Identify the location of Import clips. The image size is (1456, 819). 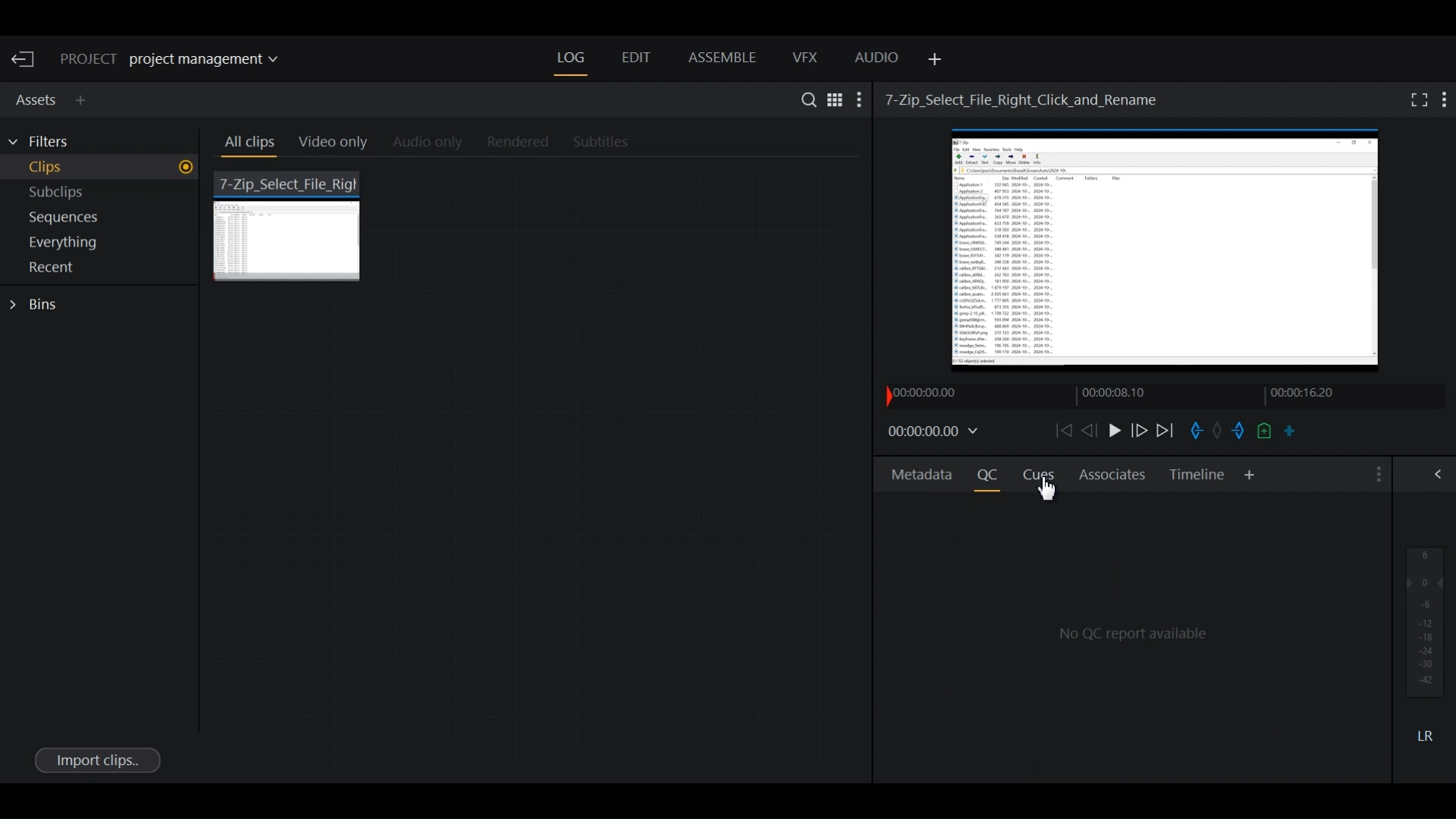
(96, 759).